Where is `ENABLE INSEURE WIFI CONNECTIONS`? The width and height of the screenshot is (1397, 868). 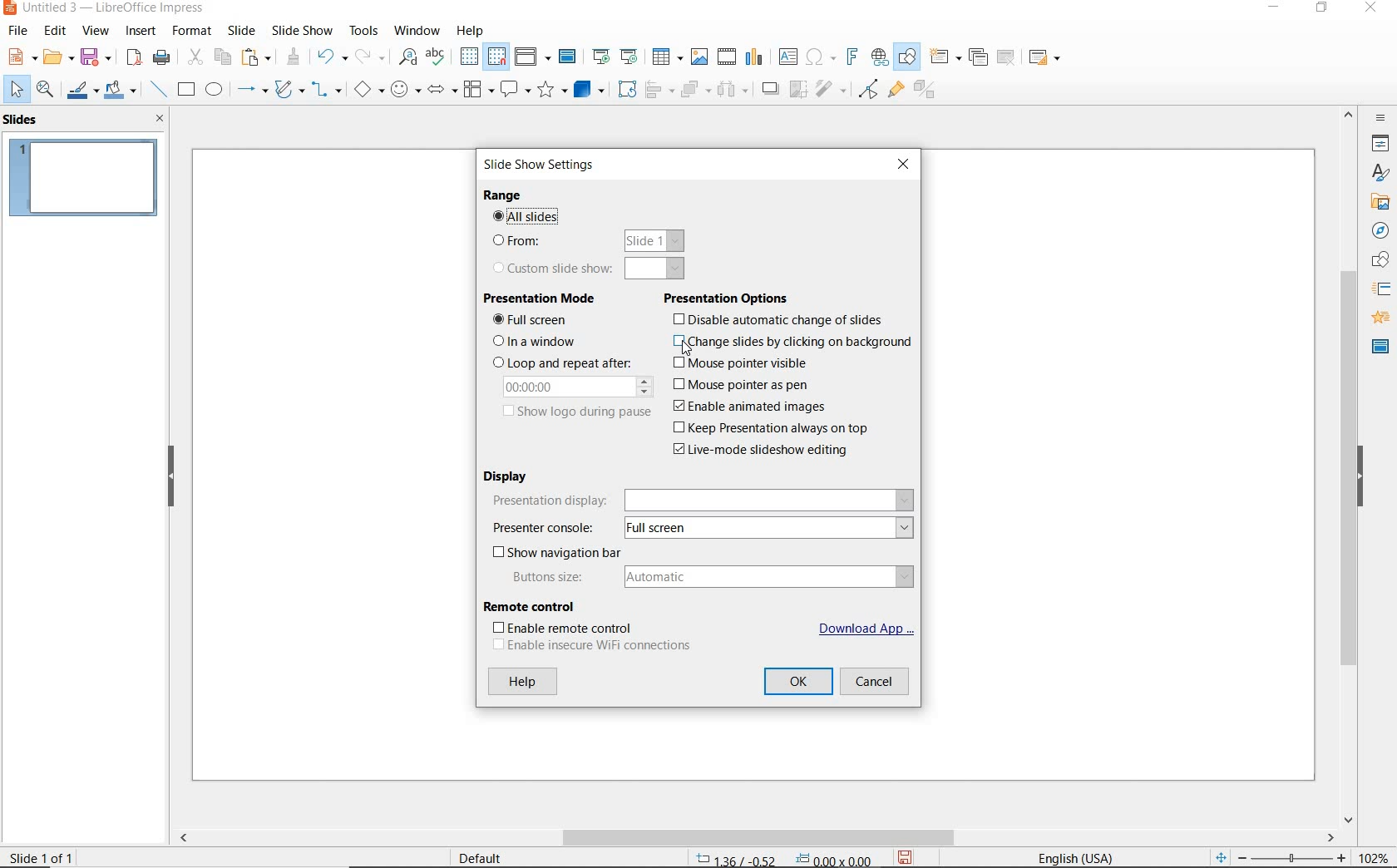 ENABLE INSEURE WIFI CONNECTIONS is located at coordinates (591, 648).